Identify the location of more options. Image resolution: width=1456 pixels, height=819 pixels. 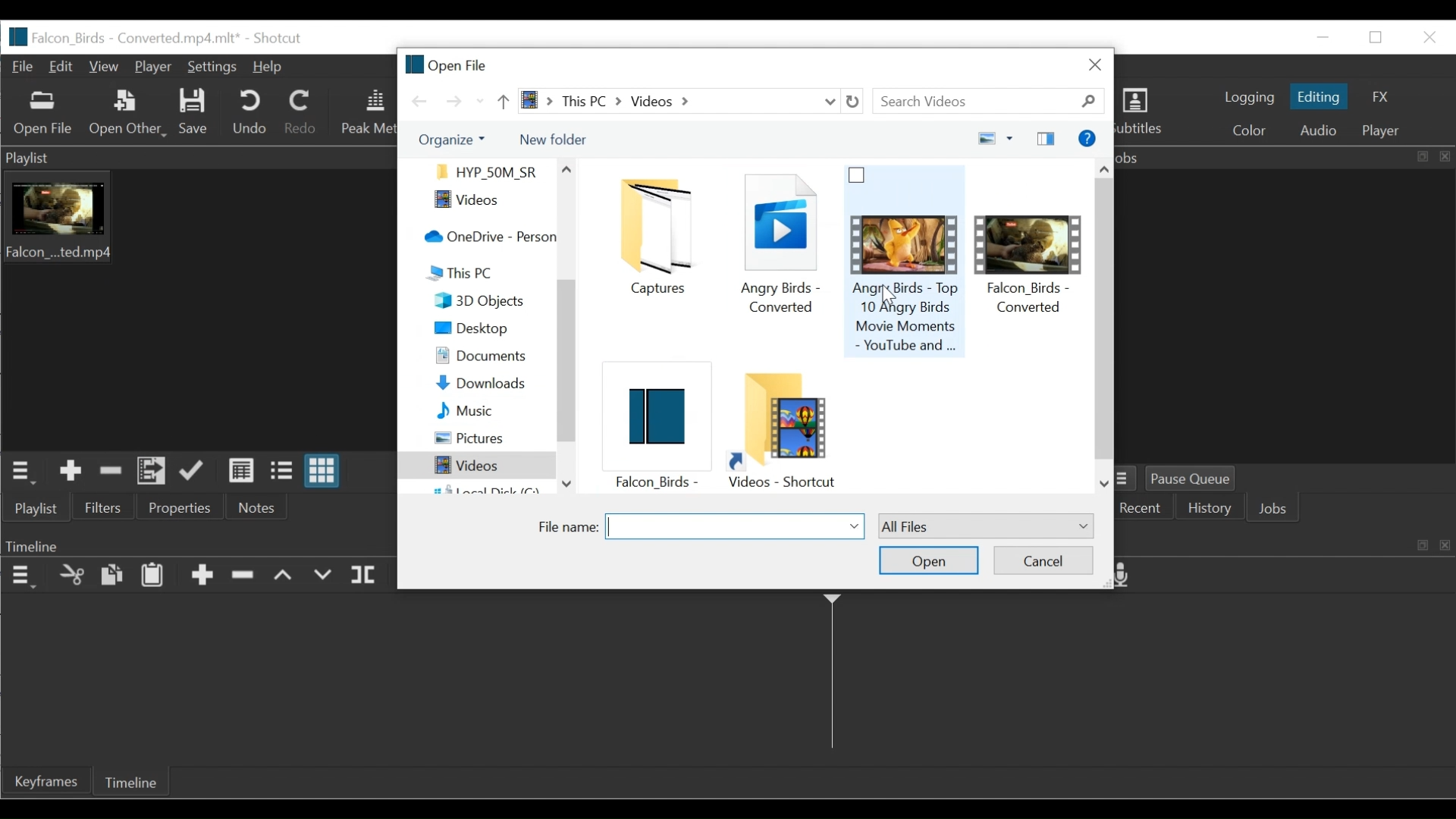
(1012, 137).